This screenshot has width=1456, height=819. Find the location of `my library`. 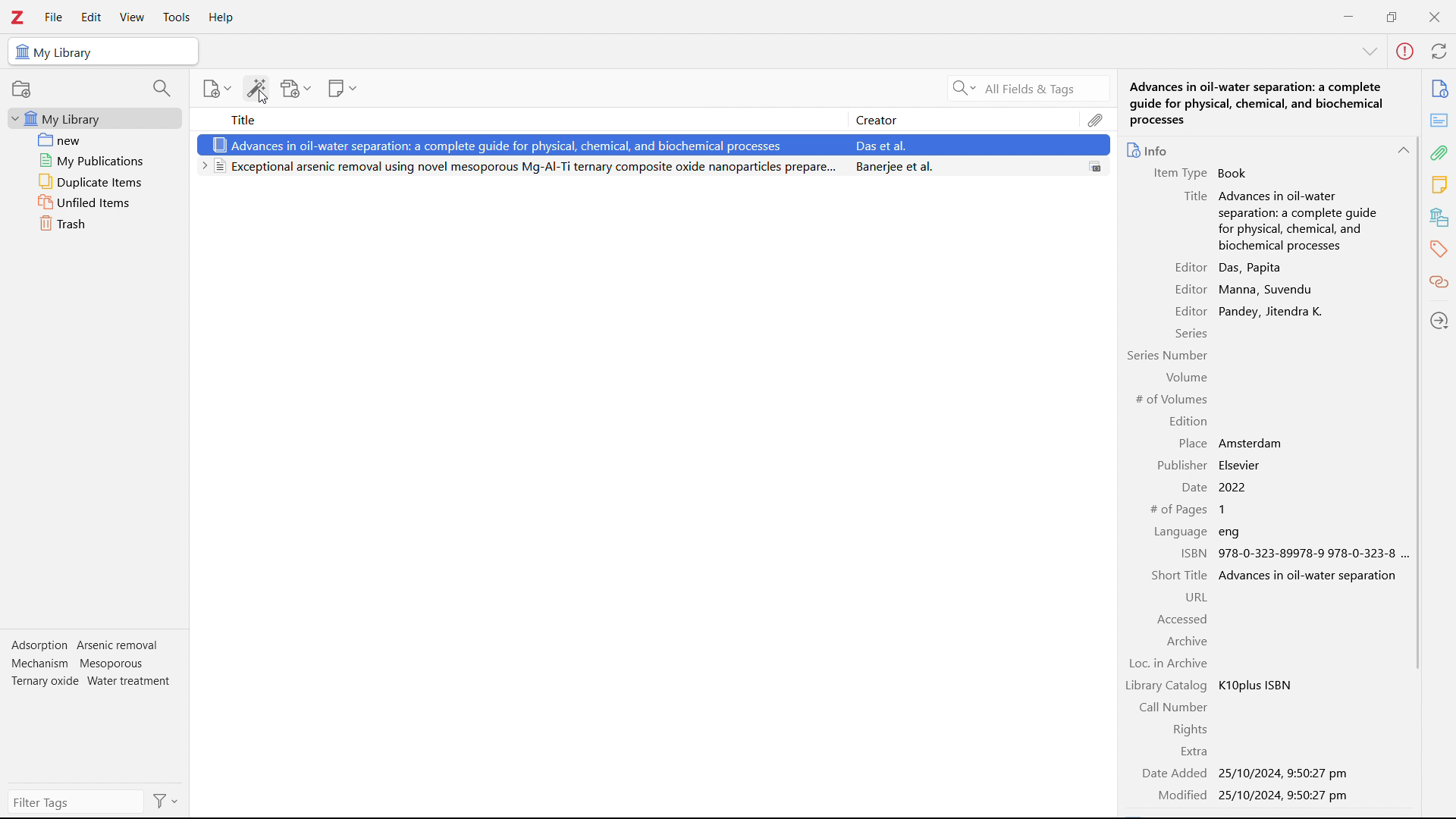

my library is located at coordinates (95, 118).